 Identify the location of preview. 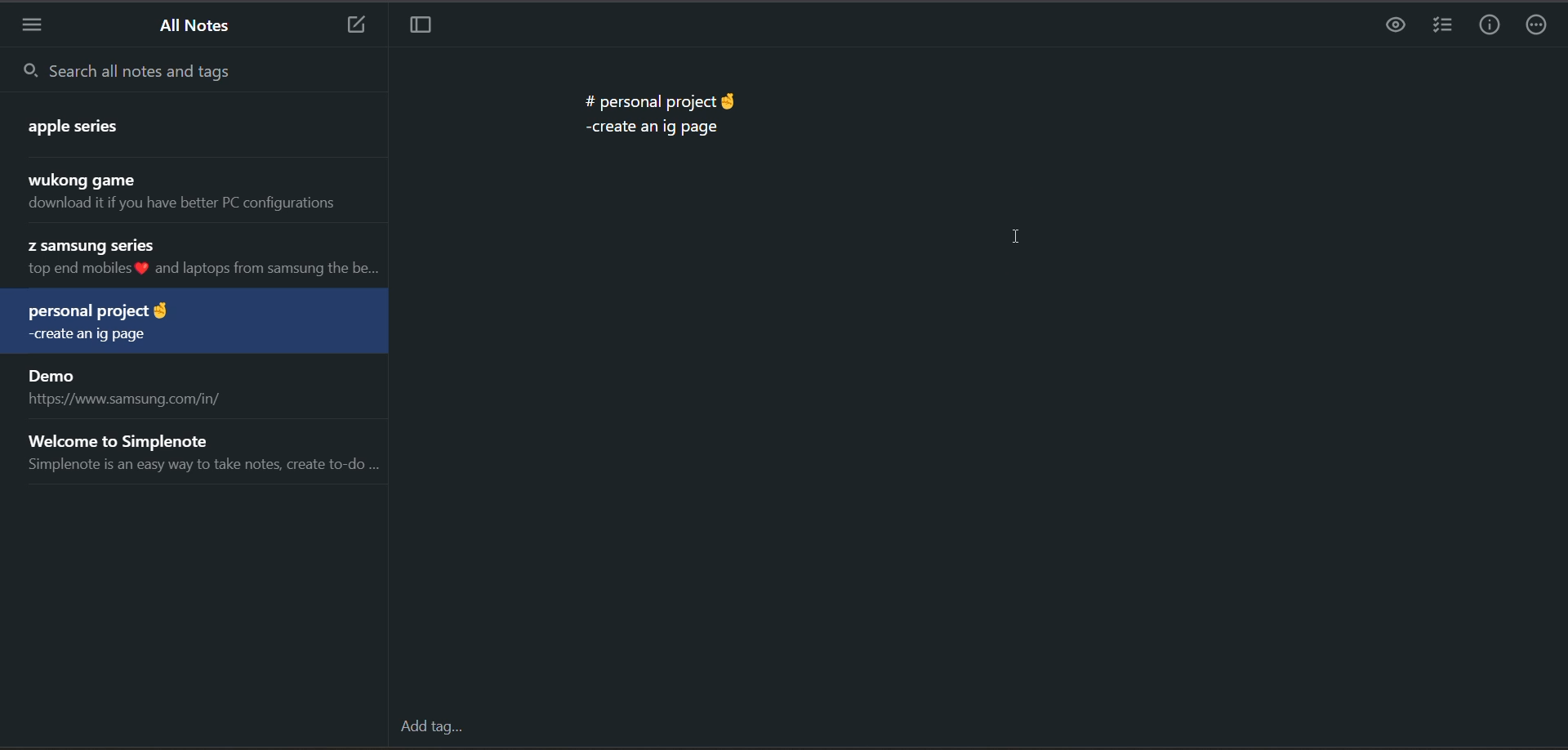
(1391, 26).